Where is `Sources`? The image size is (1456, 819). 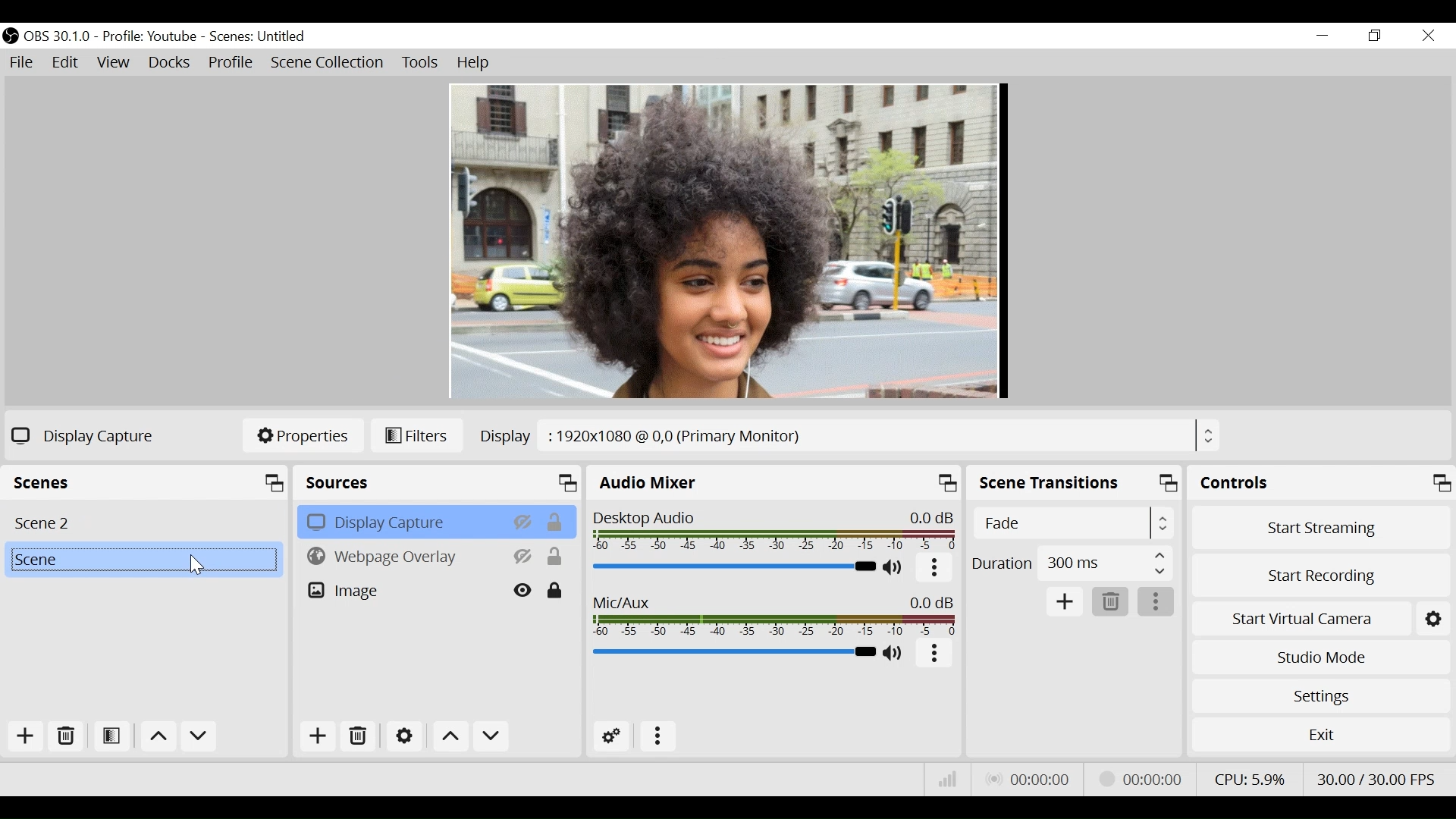
Sources is located at coordinates (439, 482).